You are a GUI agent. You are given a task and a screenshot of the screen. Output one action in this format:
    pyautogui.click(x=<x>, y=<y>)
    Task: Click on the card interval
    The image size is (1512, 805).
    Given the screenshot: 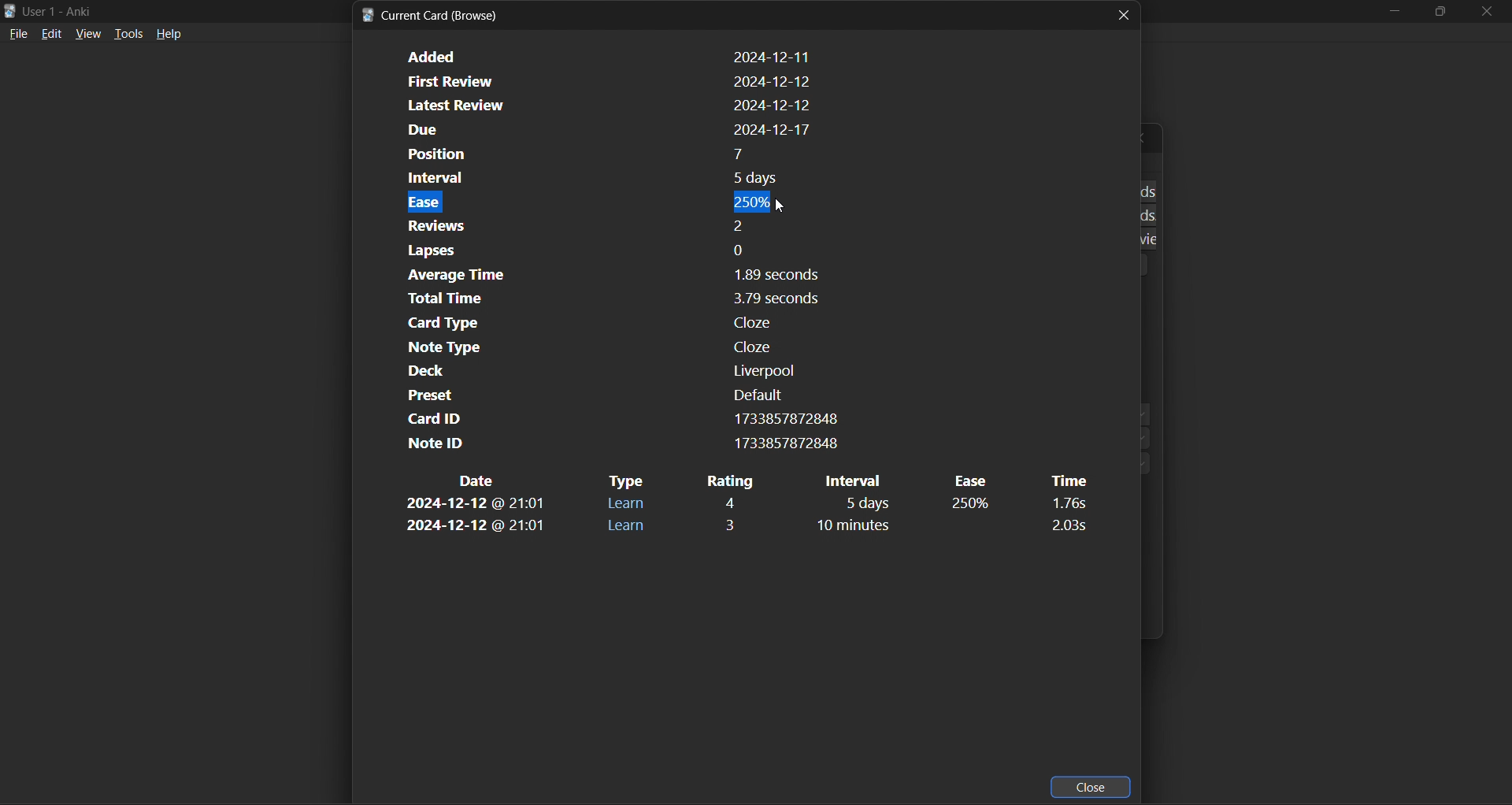 What is the action you would take?
    pyautogui.click(x=603, y=178)
    